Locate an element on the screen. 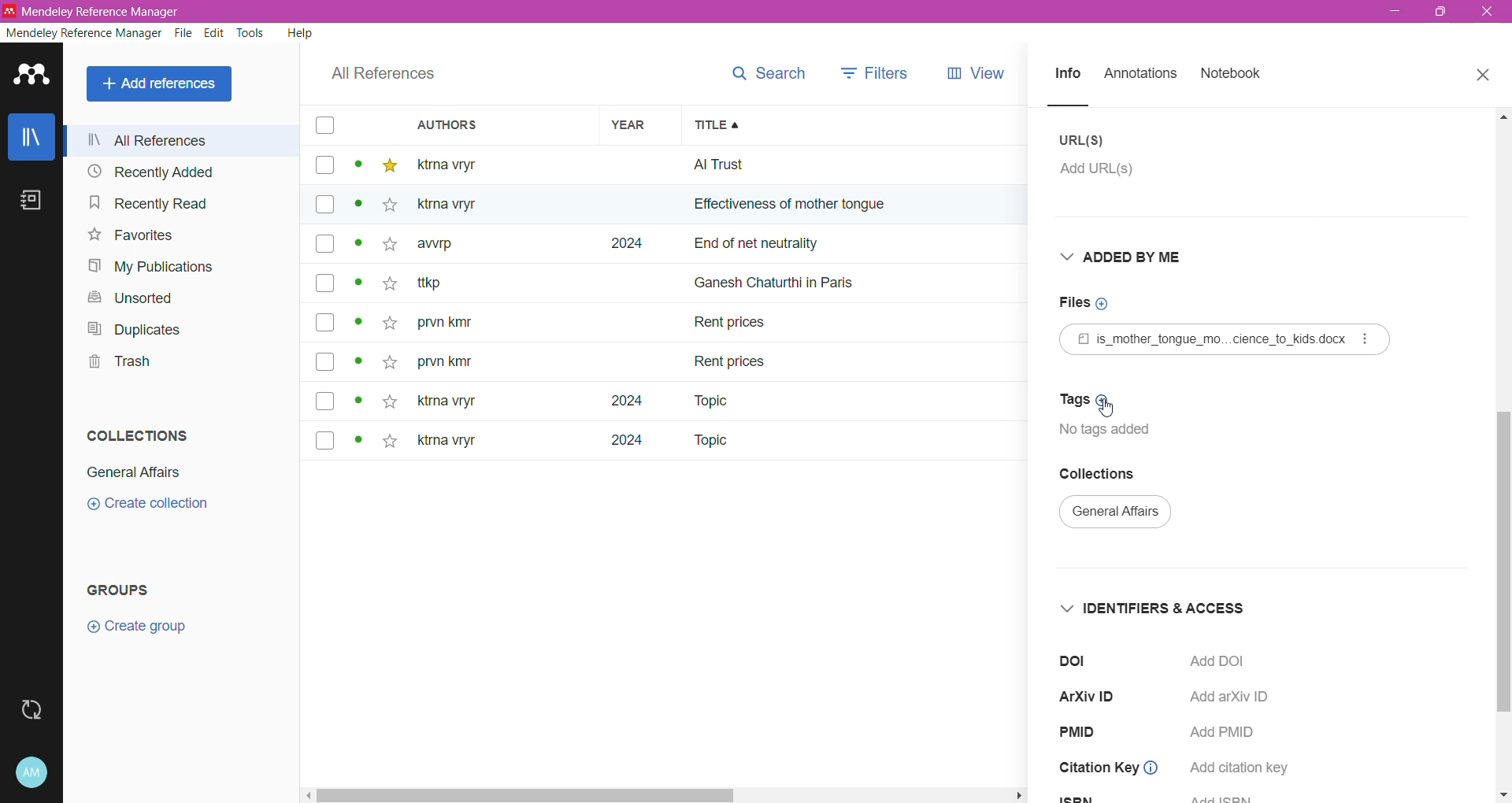 The height and width of the screenshot is (803, 1512). Help is located at coordinates (301, 32).